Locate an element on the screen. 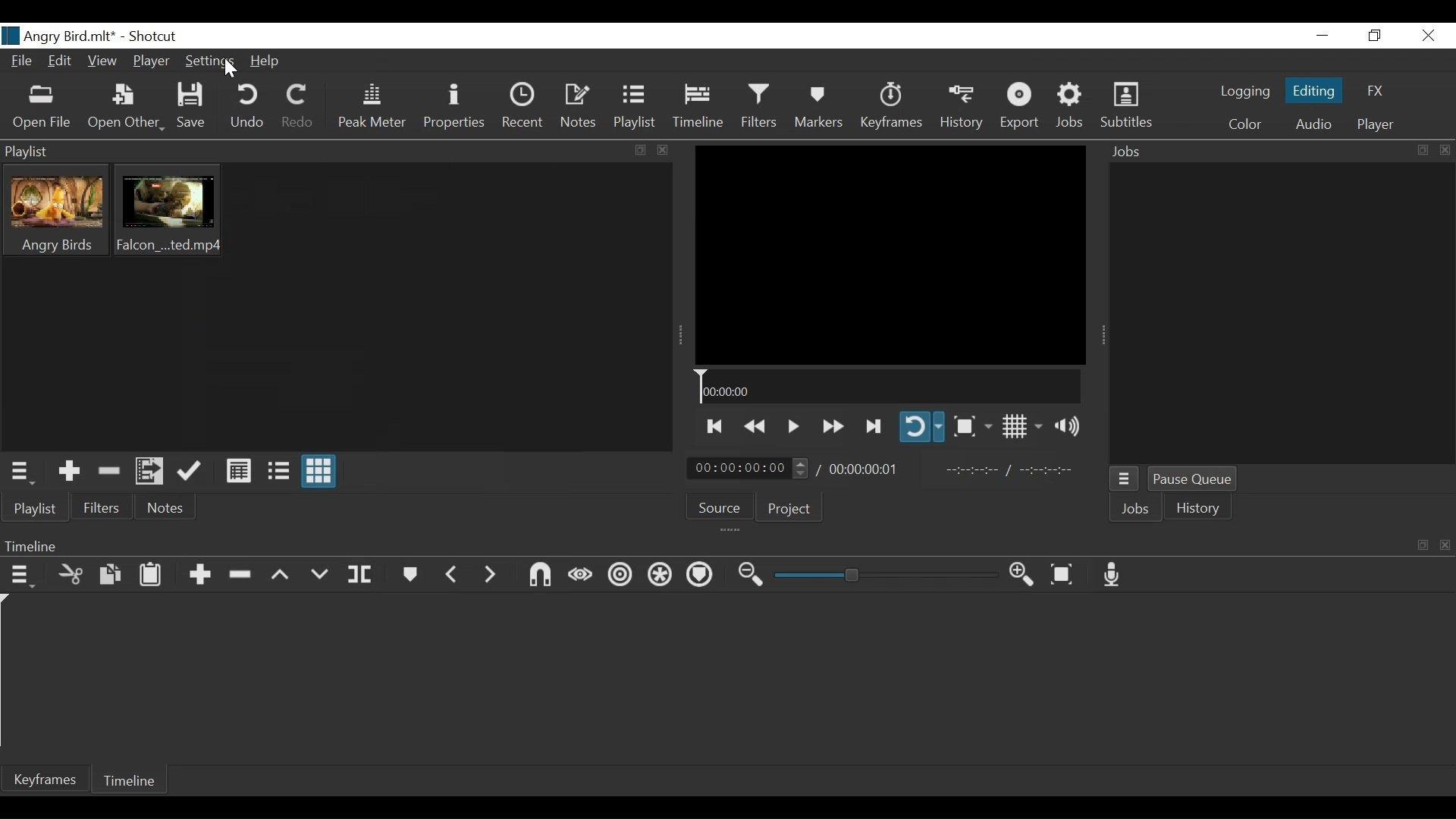  Skip to the next point is located at coordinates (875, 427).